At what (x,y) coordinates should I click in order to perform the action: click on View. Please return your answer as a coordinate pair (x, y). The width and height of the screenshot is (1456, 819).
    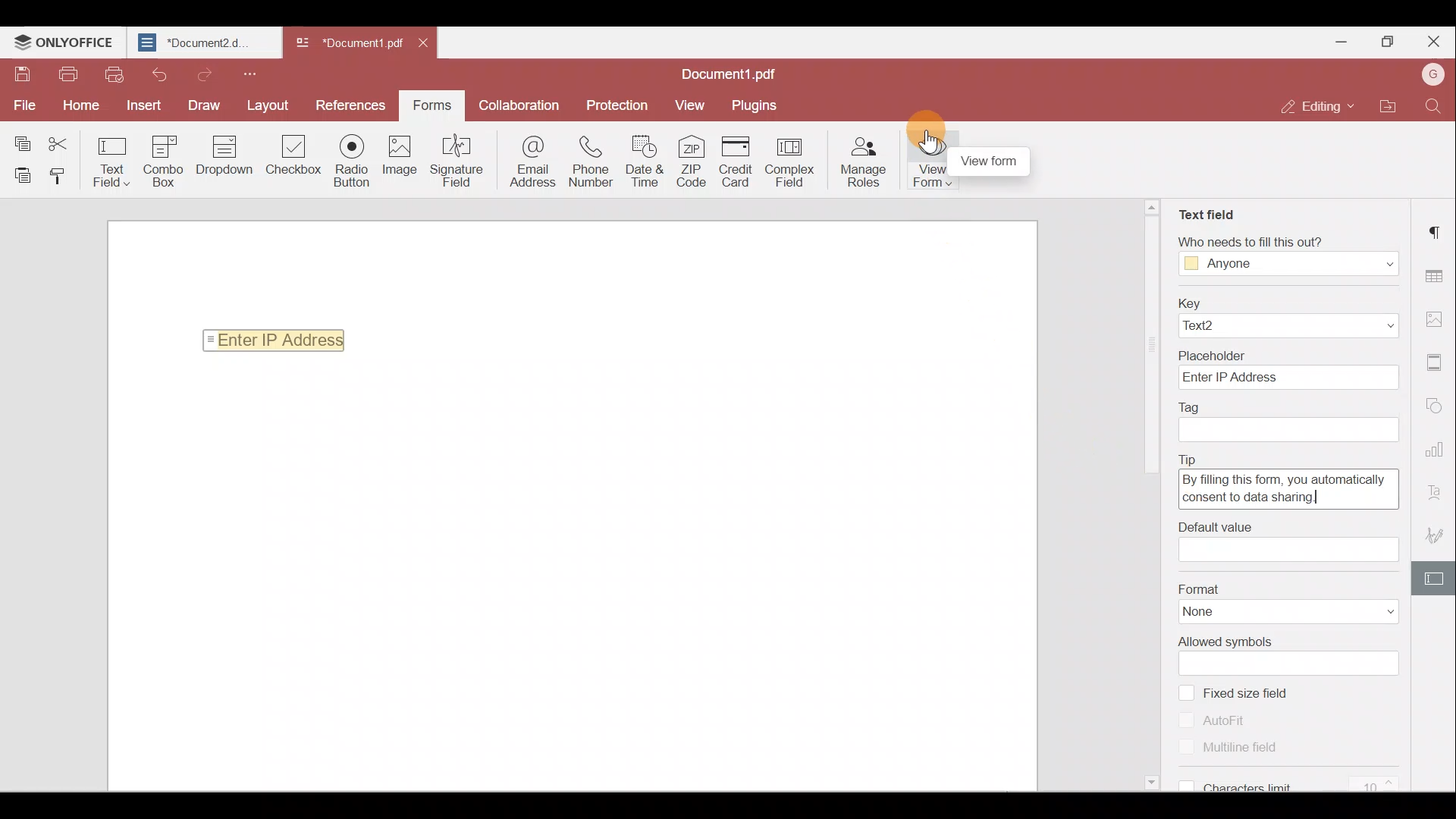
    Looking at the image, I should click on (691, 105).